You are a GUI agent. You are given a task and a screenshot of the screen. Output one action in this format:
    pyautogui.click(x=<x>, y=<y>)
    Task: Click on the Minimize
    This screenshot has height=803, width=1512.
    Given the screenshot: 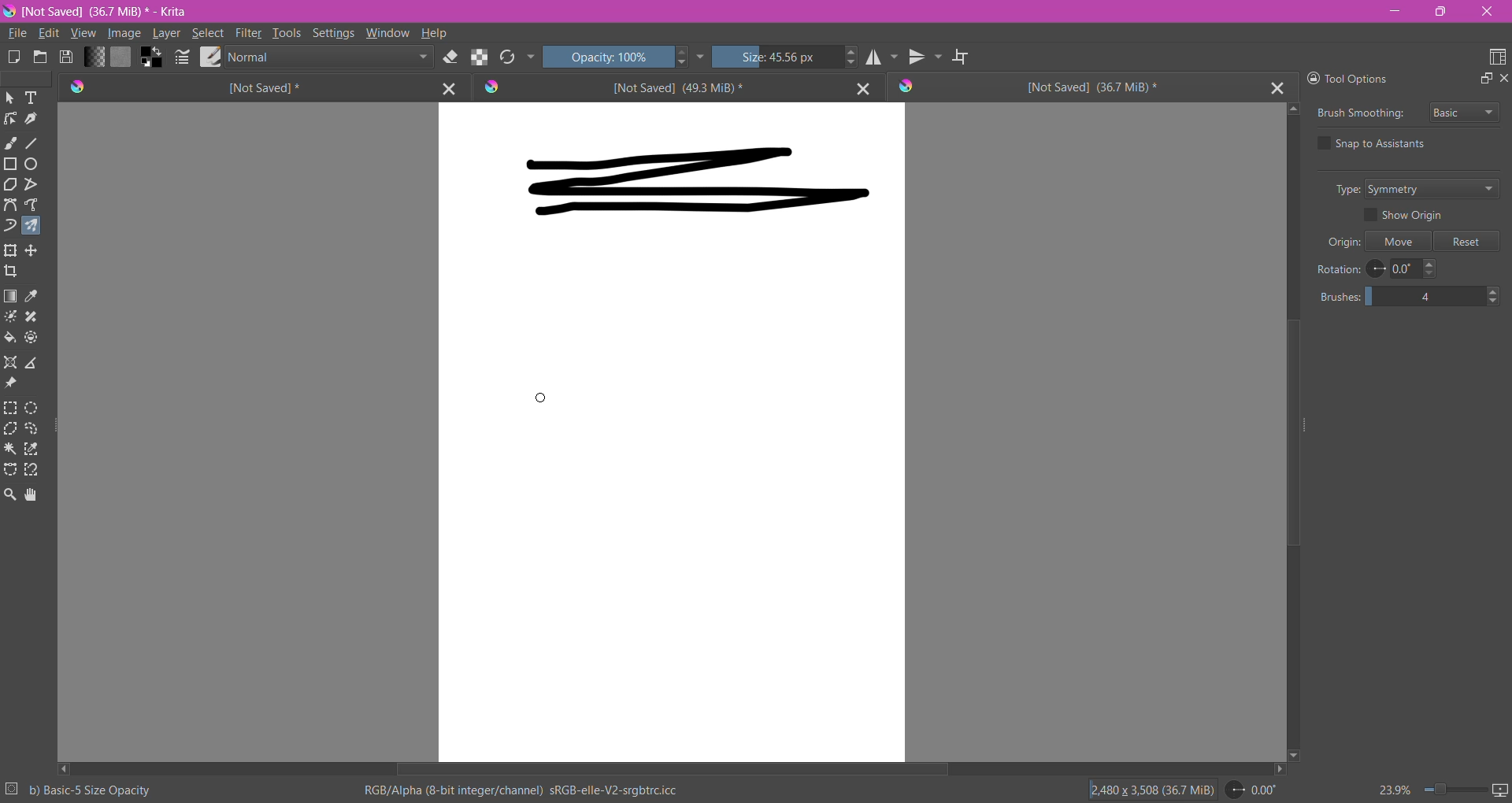 What is the action you would take?
    pyautogui.click(x=1394, y=10)
    